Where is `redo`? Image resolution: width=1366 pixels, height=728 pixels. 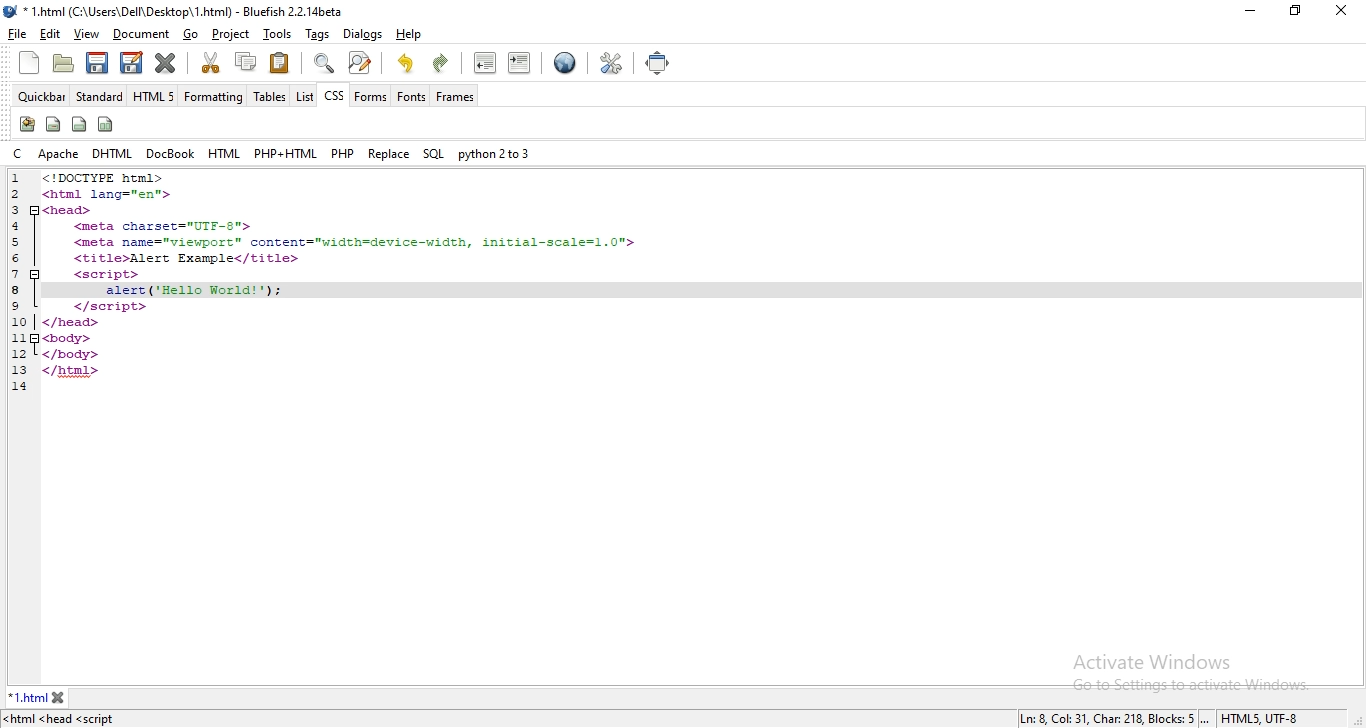
redo is located at coordinates (442, 64).